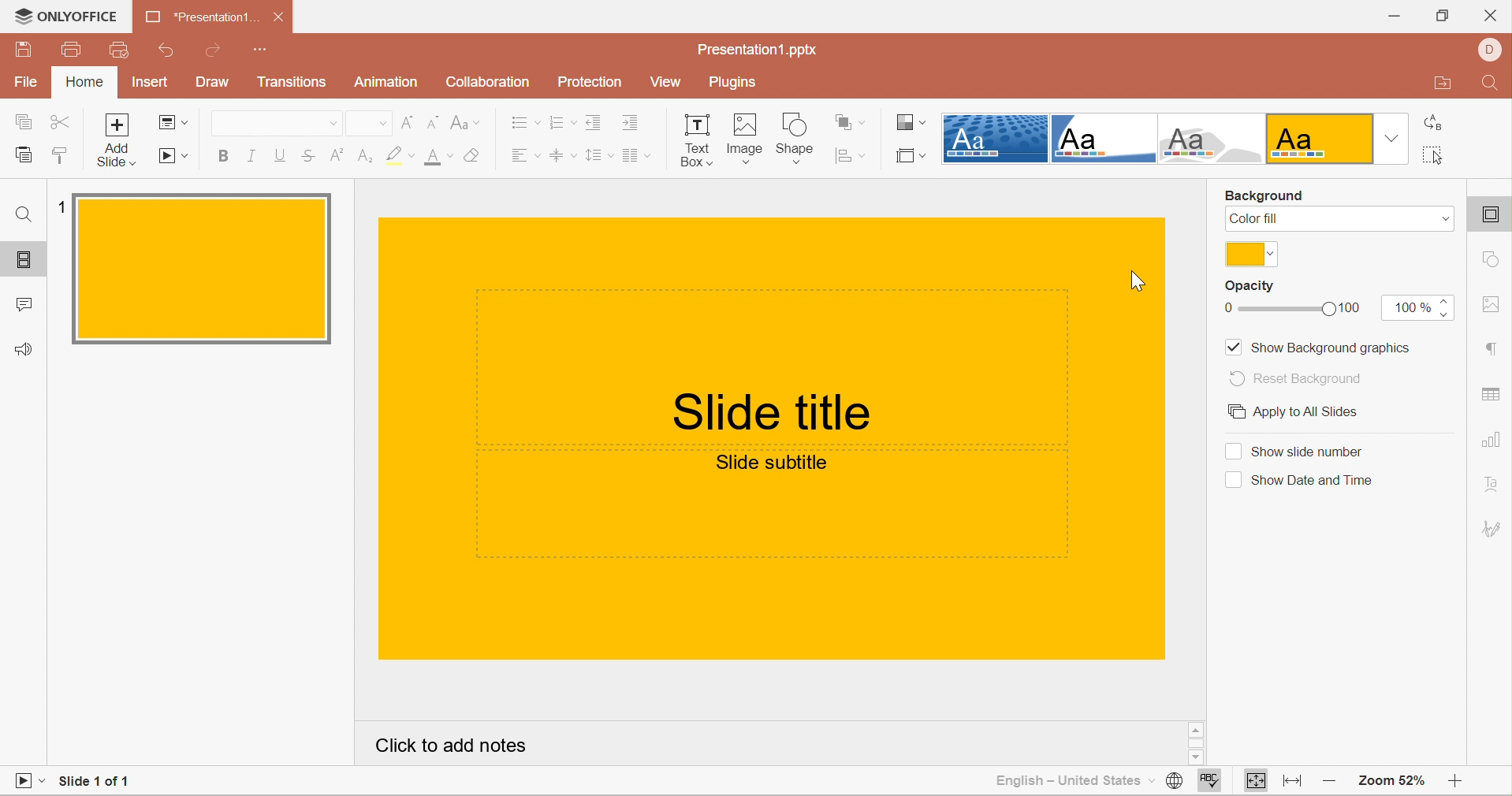 The image size is (1512, 796). What do you see at coordinates (431, 121) in the screenshot?
I see `Decrement font size` at bounding box center [431, 121].